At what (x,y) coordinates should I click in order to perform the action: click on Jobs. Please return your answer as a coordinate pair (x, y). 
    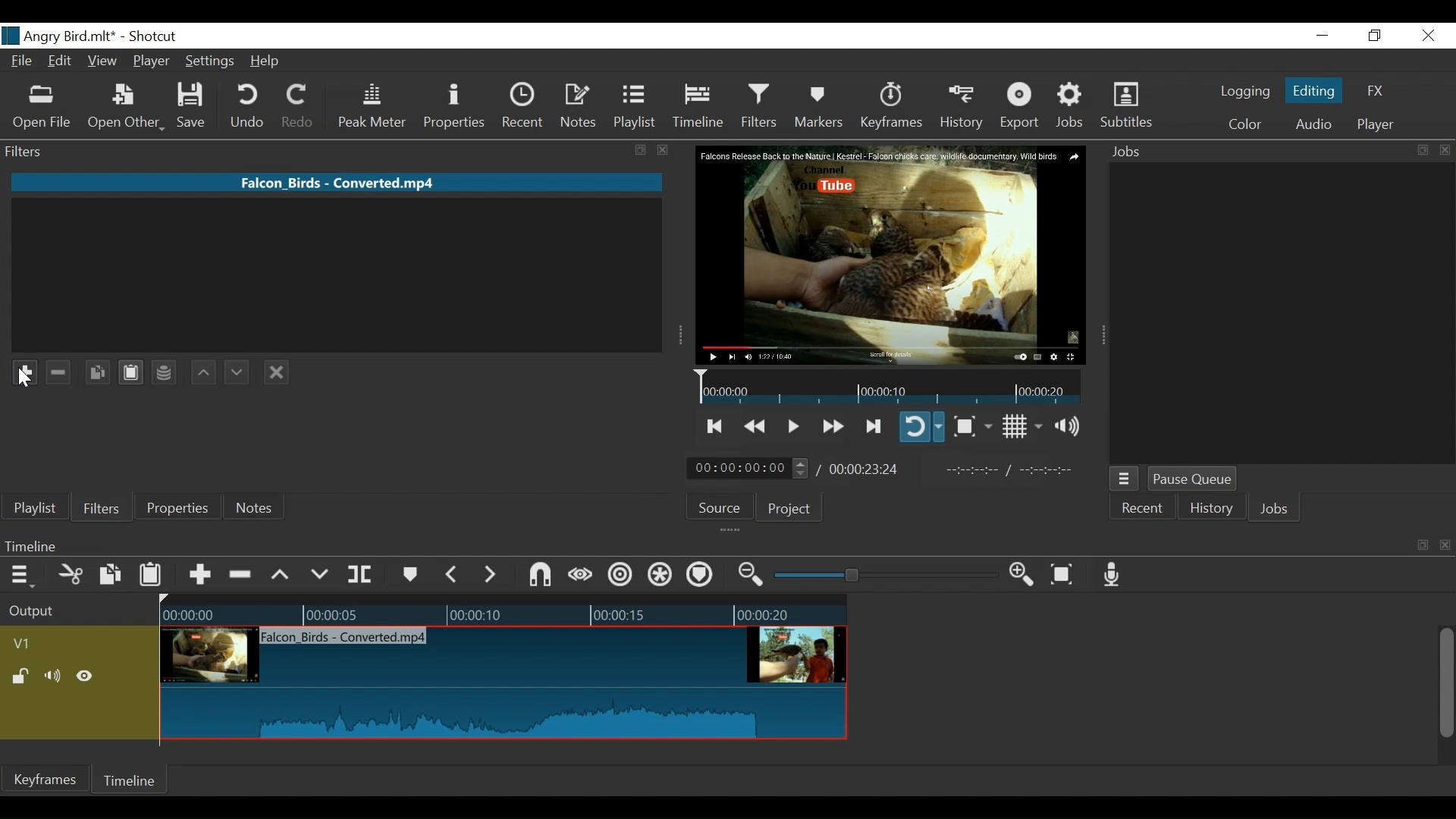
    Looking at the image, I should click on (1275, 510).